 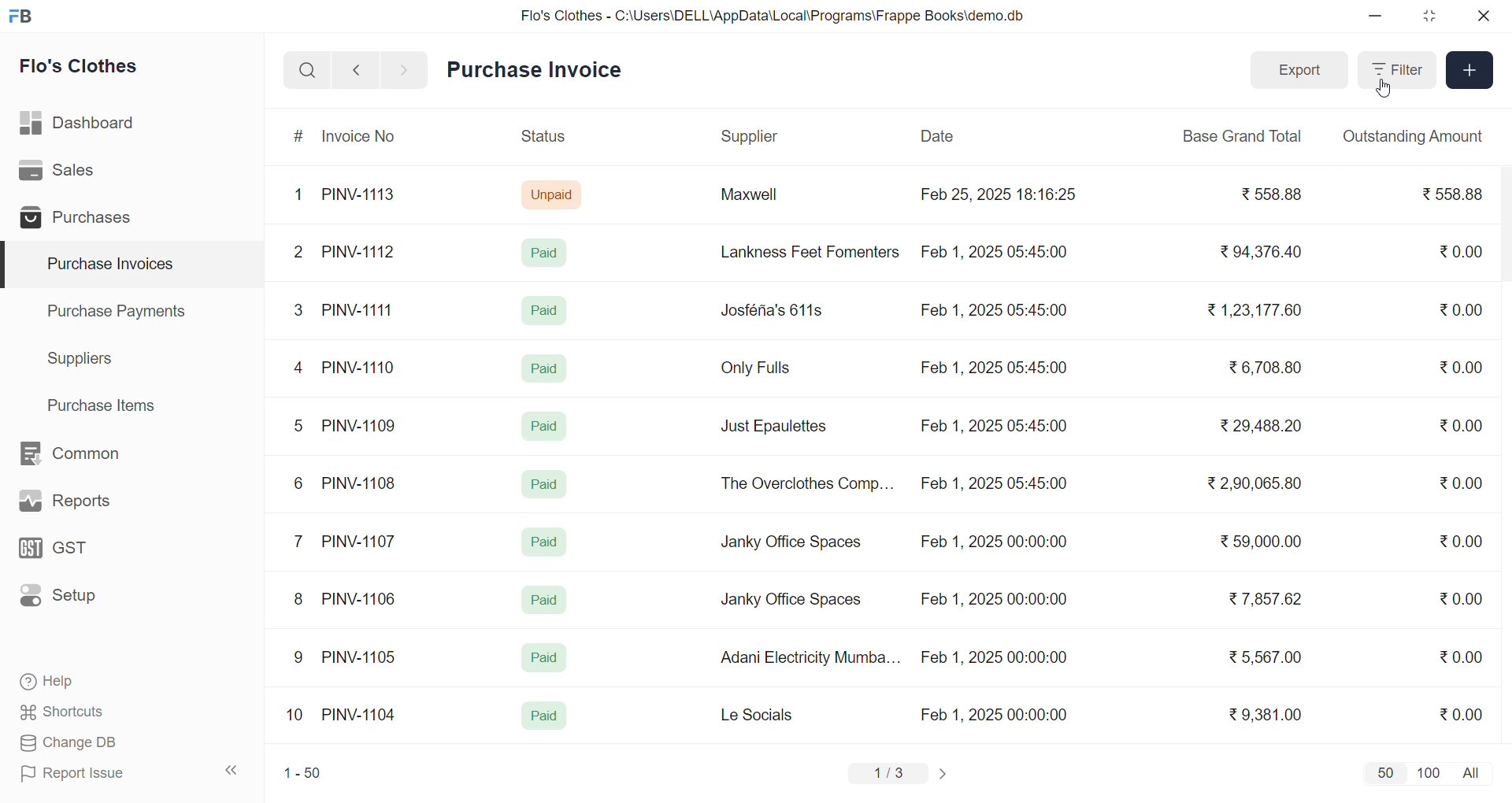 I want to click on Paid, so click(x=545, y=484).